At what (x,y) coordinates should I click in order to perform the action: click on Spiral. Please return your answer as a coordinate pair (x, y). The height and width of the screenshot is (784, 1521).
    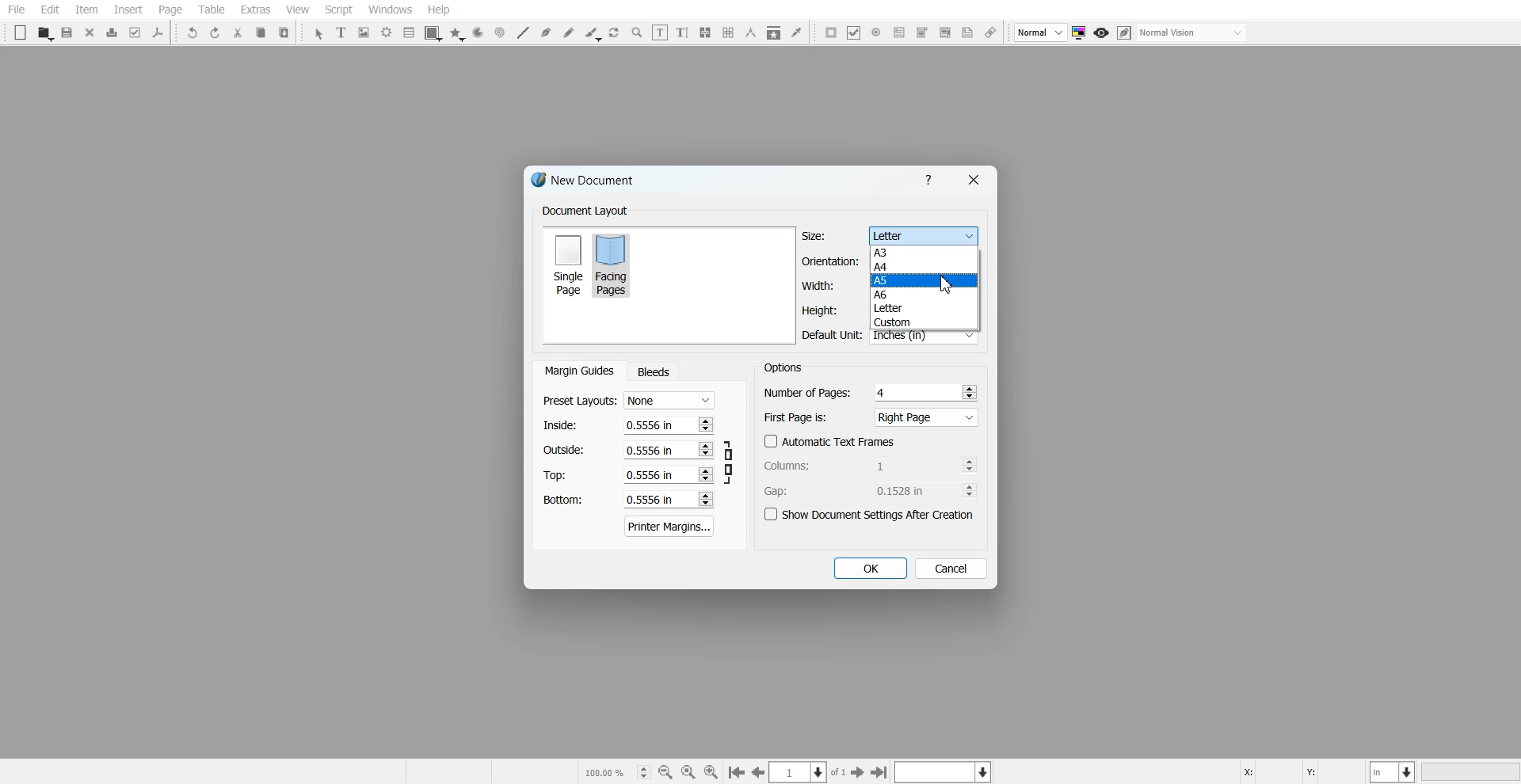
    Looking at the image, I should click on (499, 32).